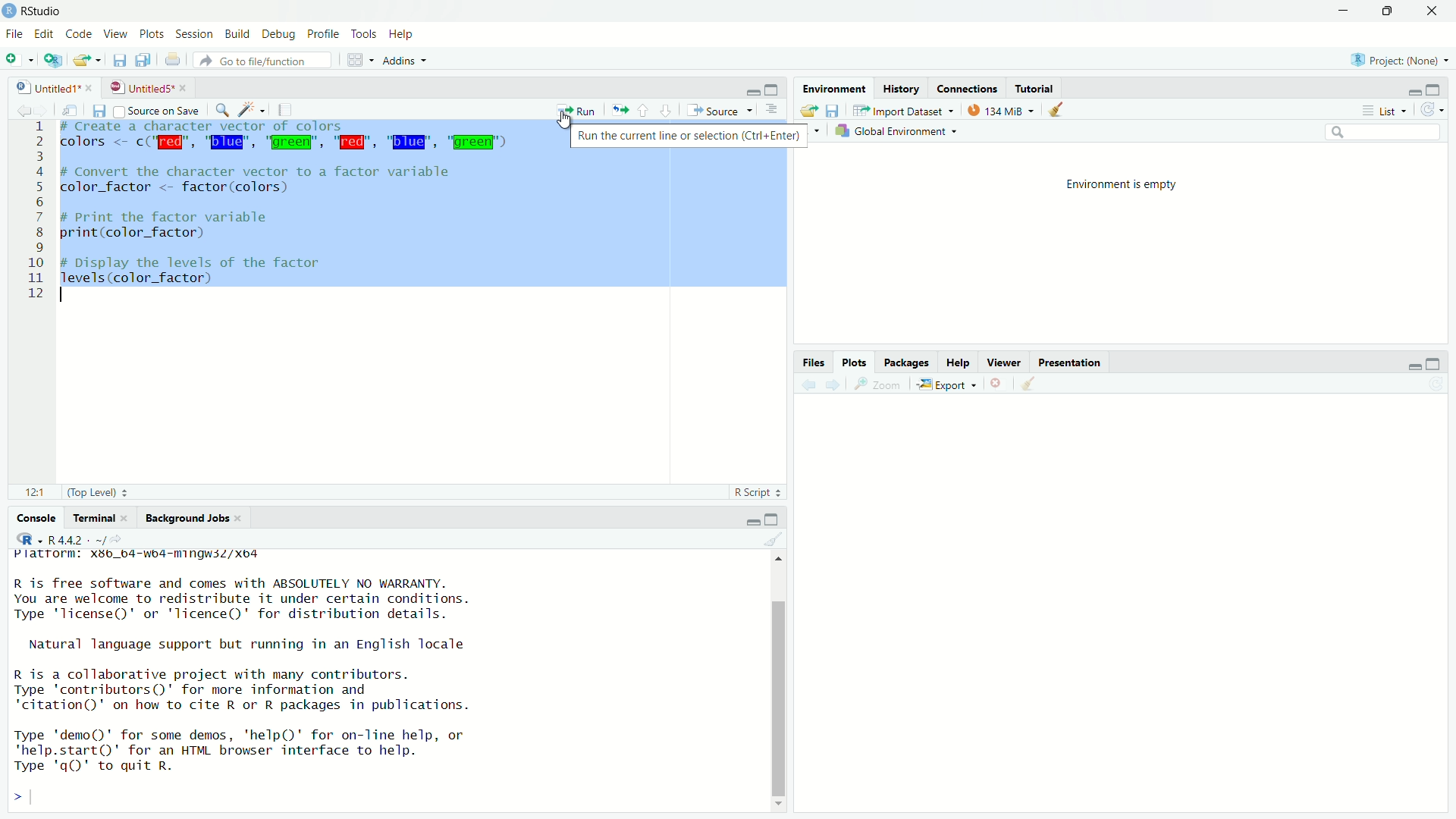 This screenshot has height=819, width=1456. Describe the element at coordinates (44, 10) in the screenshot. I see `RStudio` at that location.